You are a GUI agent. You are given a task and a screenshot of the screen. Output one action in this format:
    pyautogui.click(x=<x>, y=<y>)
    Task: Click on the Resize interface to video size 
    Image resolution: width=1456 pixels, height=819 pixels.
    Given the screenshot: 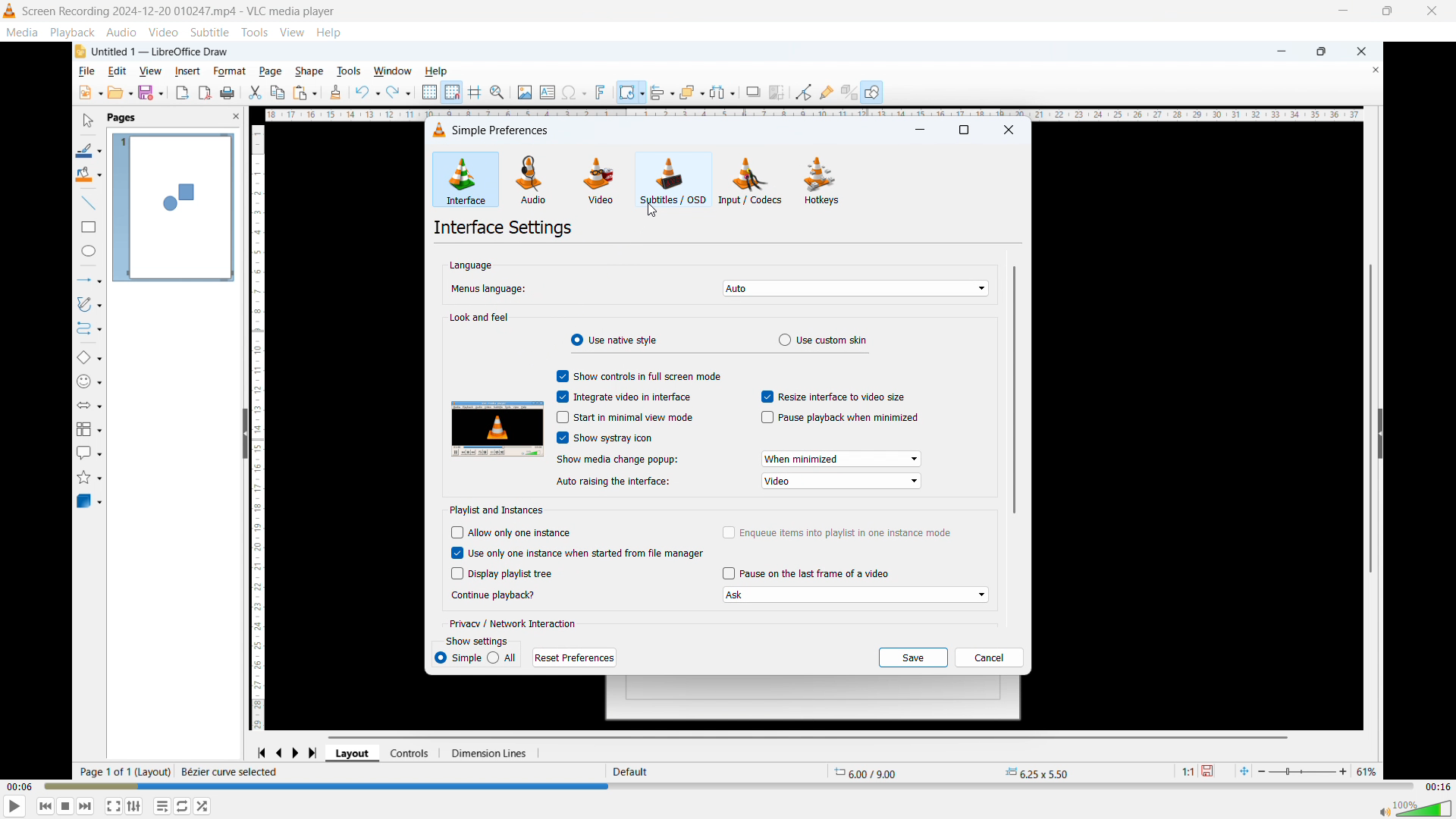 What is the action you would take?
    pyautogui.click(x=832, y=395)
    